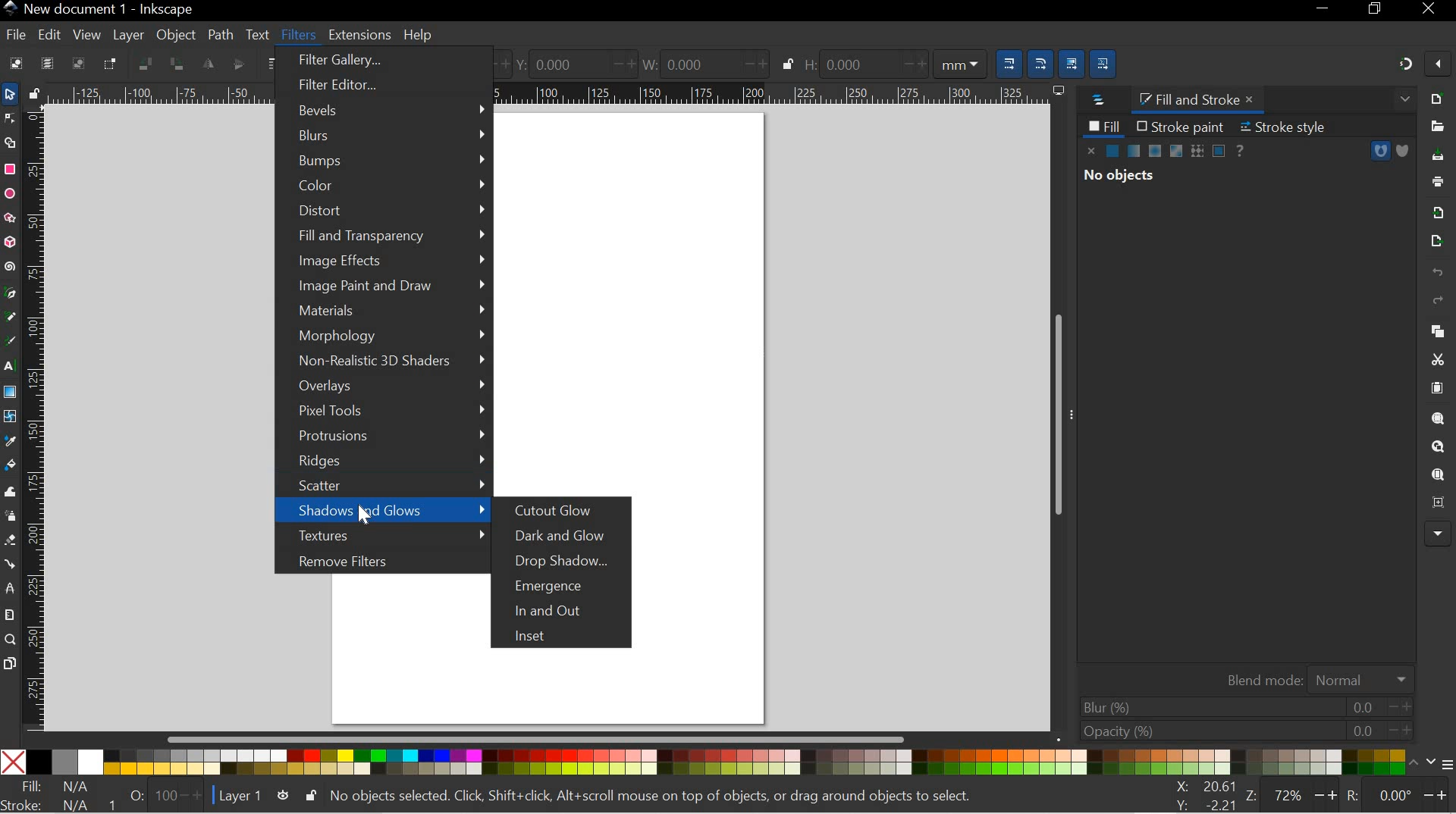 This screenshot has width=1456, height=814. I want to click on ZOOM PAGE, so click(1437, 475).